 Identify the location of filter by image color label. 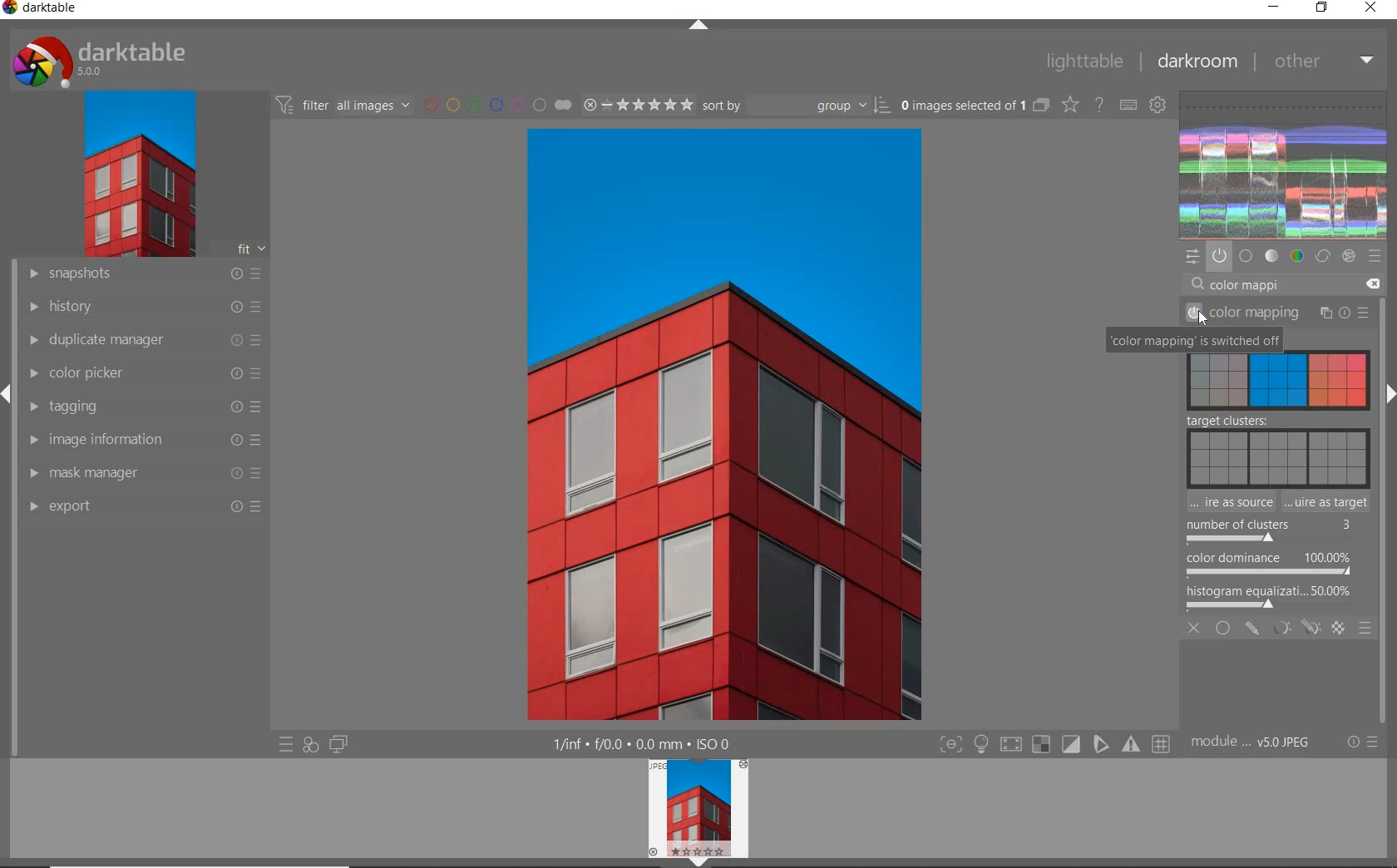
(495, 104).